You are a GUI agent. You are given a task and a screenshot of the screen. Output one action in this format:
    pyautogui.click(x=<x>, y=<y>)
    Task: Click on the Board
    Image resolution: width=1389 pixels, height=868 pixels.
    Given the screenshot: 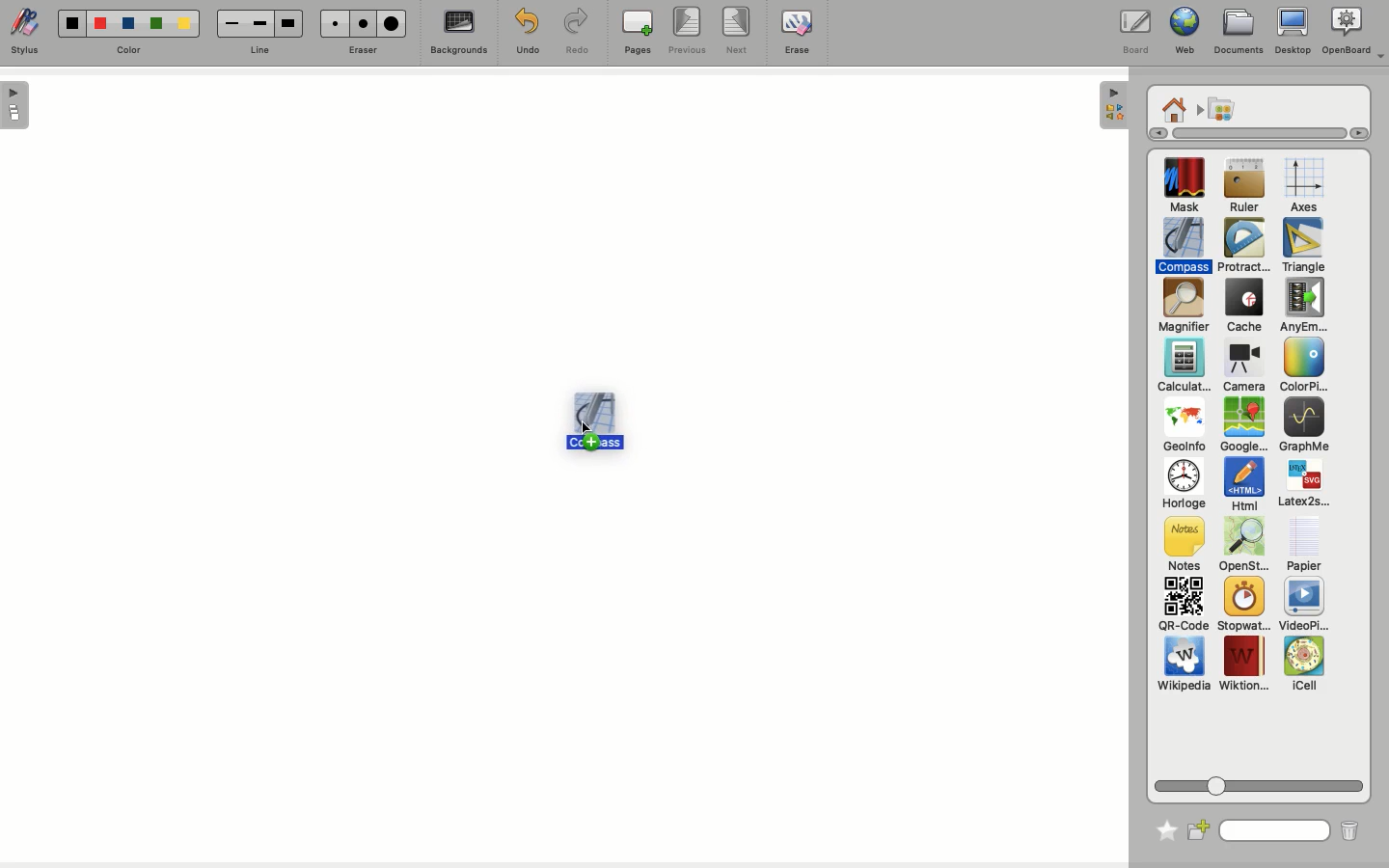 What is the action you would take?
    pyautogui.click(x=1134, y=32)
    